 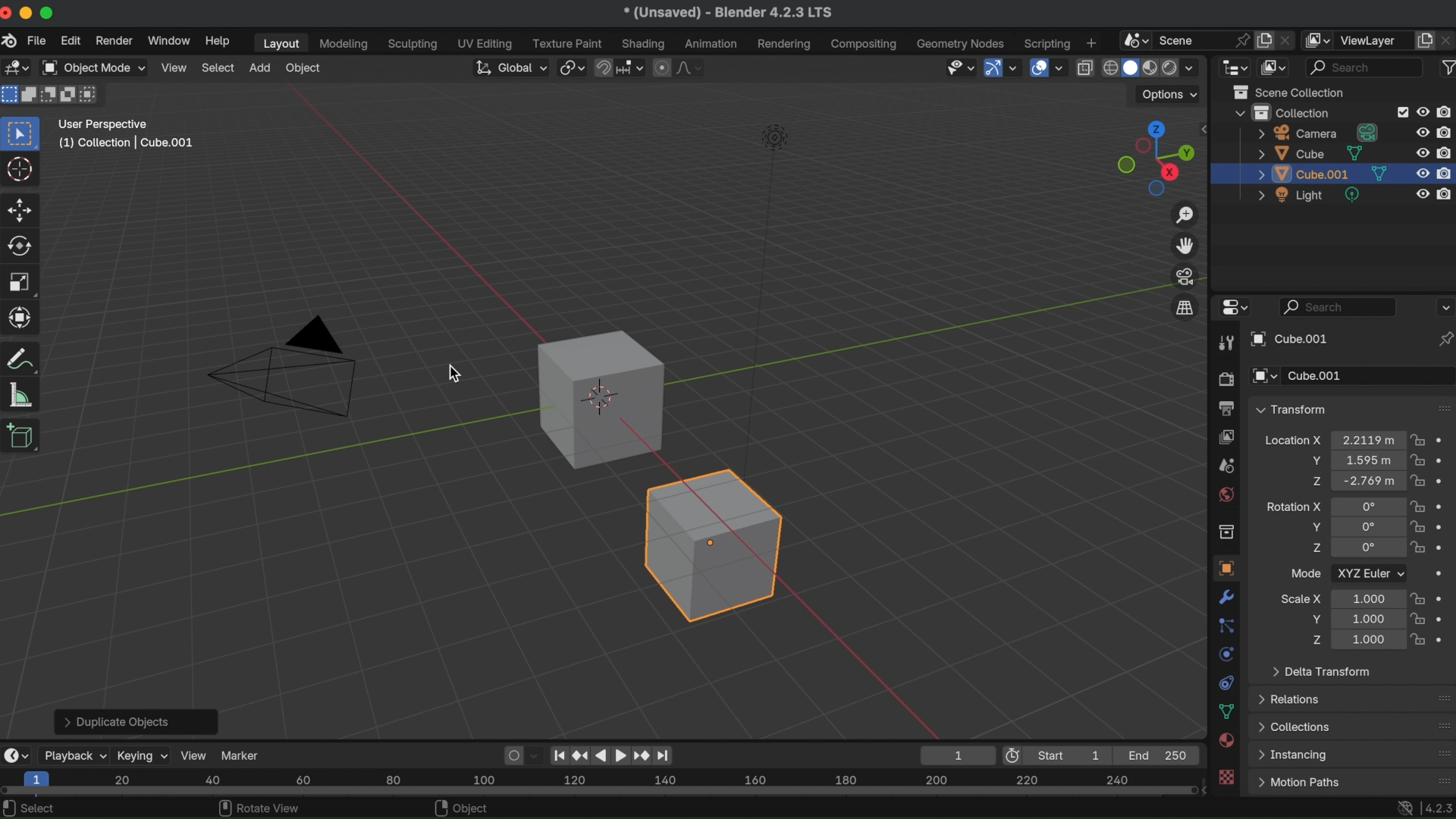 I want to click on scene, so click(x=1225, y=466).